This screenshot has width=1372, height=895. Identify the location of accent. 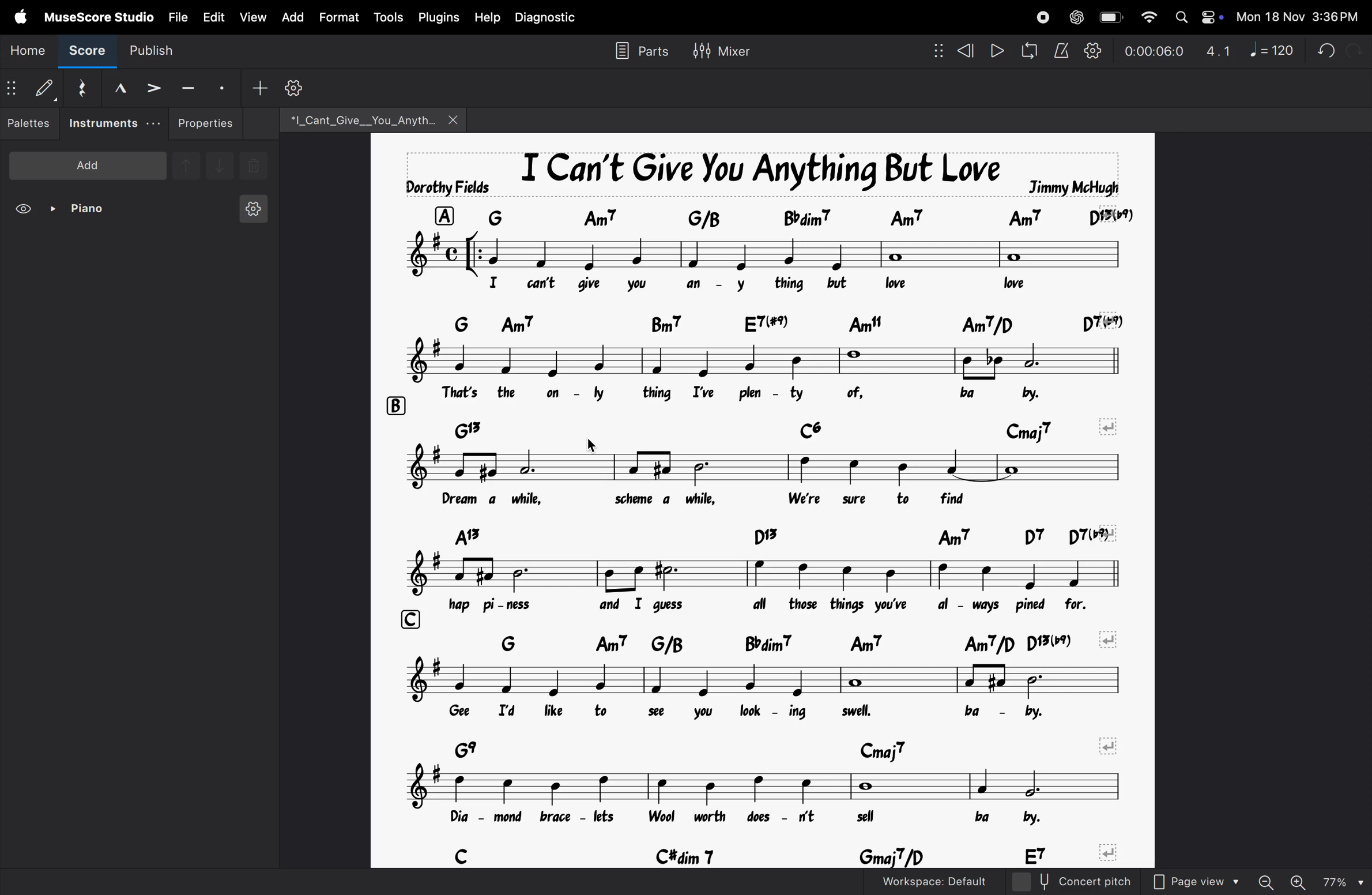
(154, 89).